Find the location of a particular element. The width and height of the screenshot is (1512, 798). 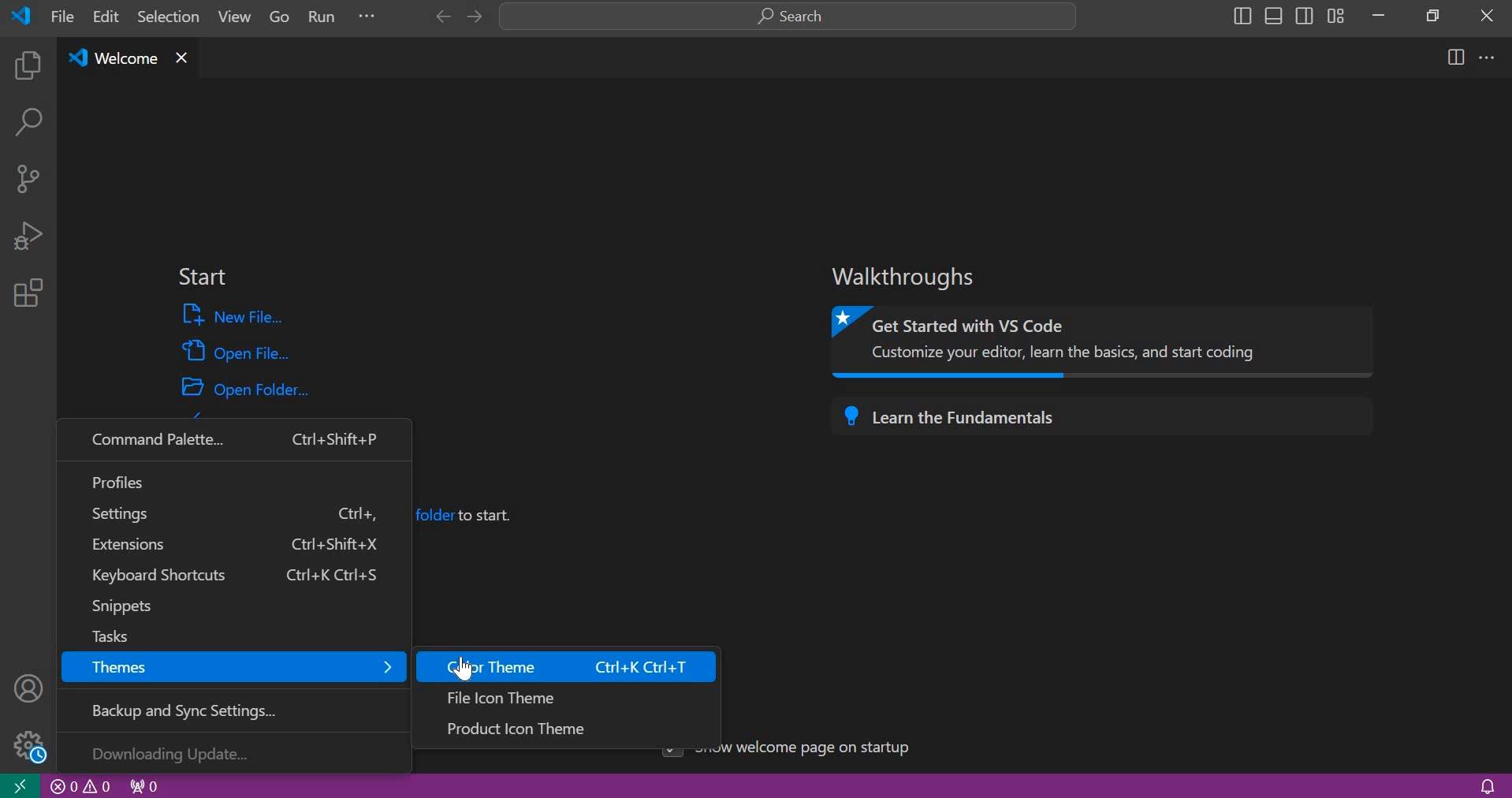

cursor at color theme position is located at coordinates (464, 669).